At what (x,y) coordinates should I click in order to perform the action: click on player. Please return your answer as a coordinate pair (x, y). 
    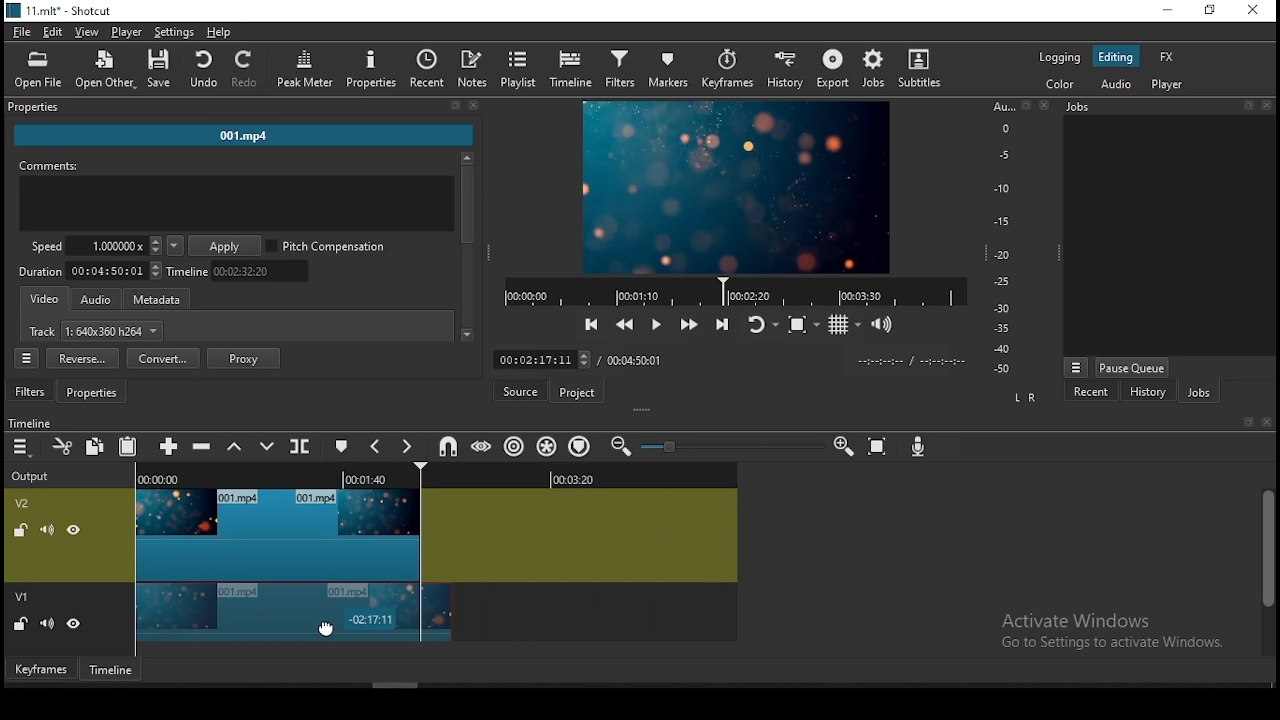
    Looking at the image, I should click on (1172, 86).